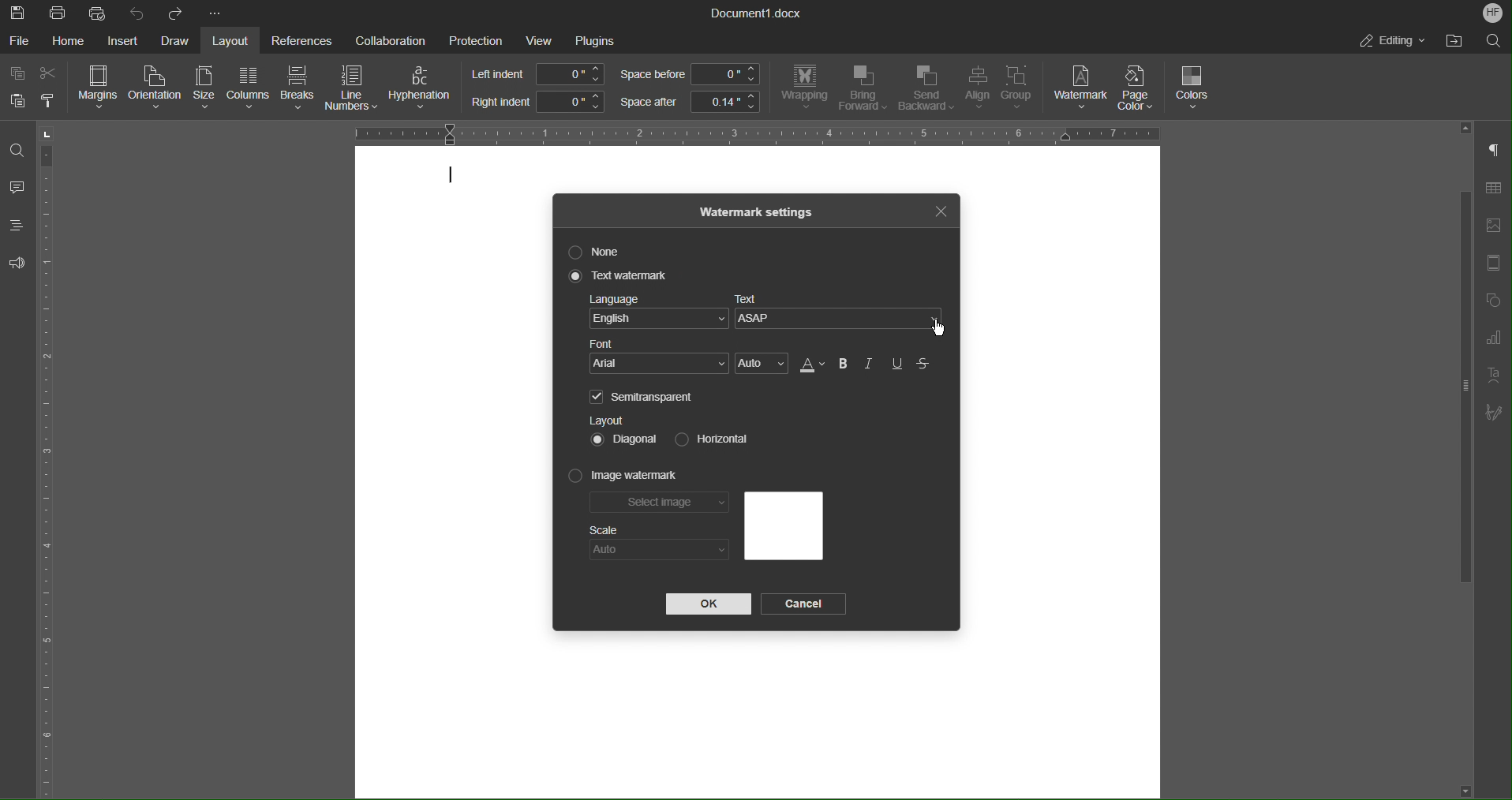 The width and height of the screenshot is (1512, 800). I want to click on Signature, so click(1494, 413).